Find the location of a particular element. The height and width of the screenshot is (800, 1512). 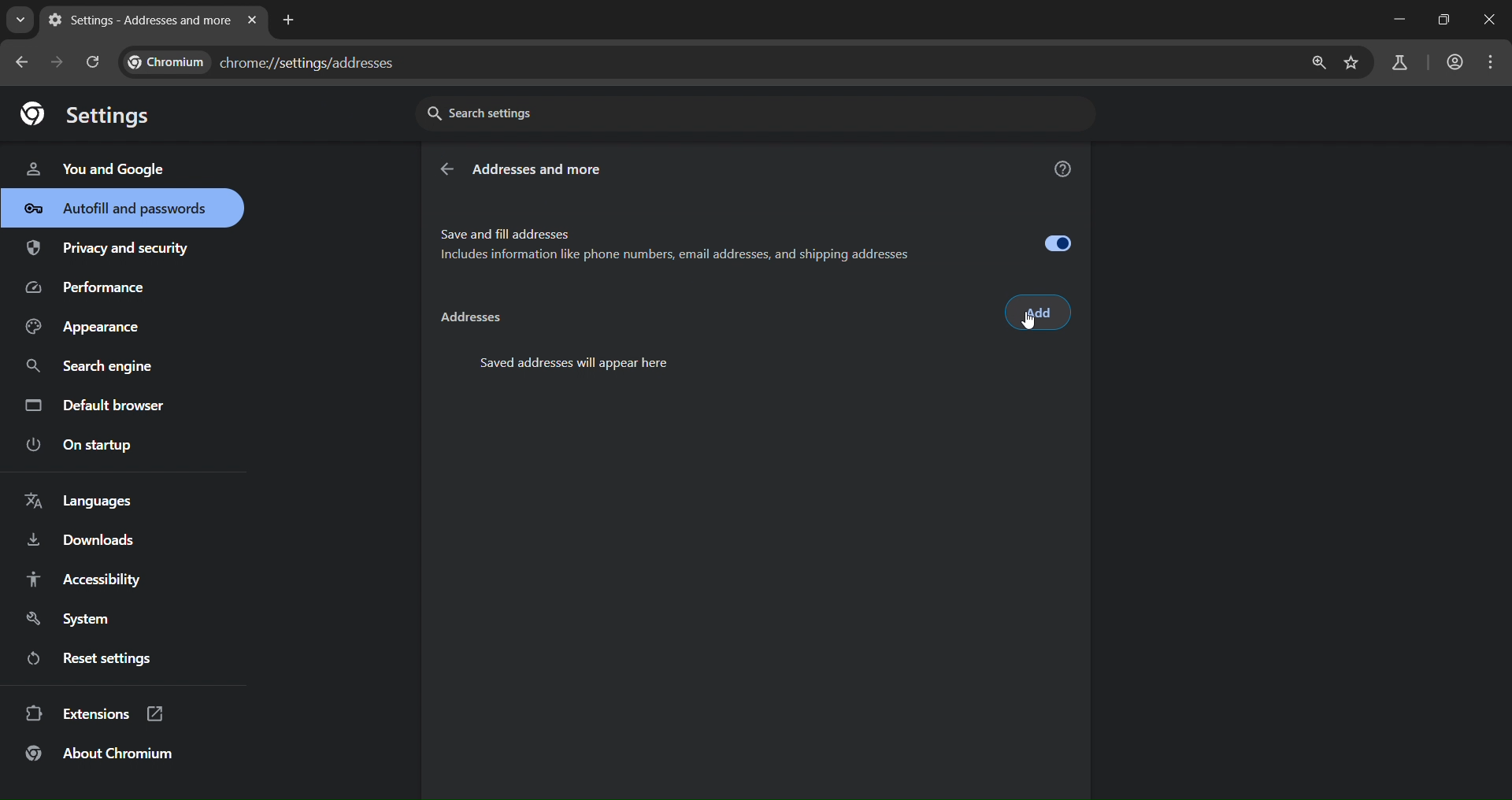

current page is located at coordinates (136, 20).